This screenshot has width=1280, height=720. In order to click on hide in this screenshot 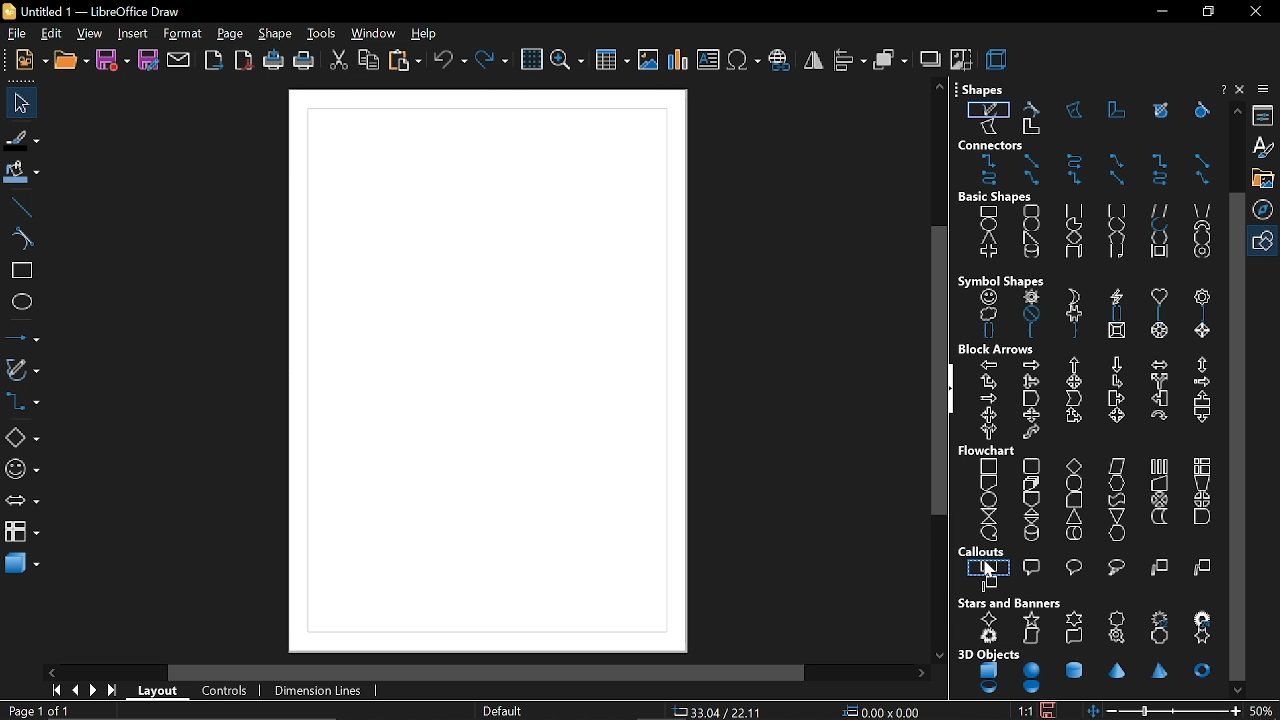, I will do `click(951, 390)`.